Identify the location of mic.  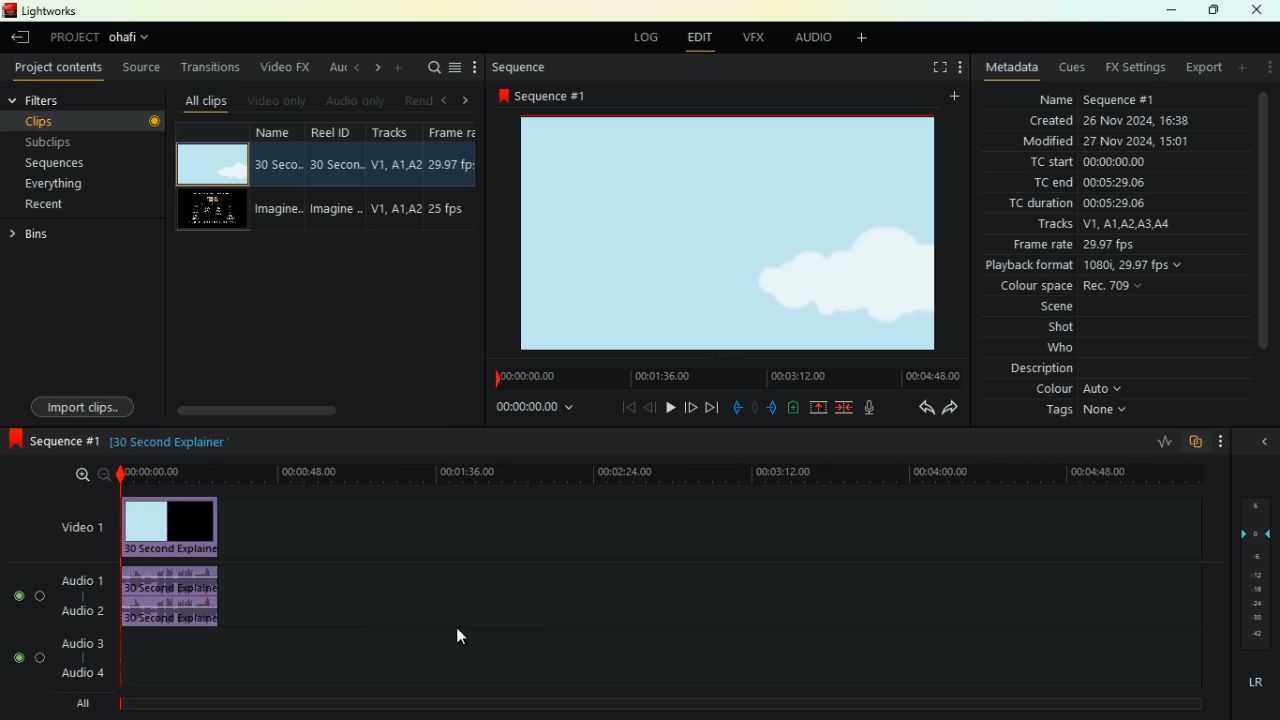
(868, 408).